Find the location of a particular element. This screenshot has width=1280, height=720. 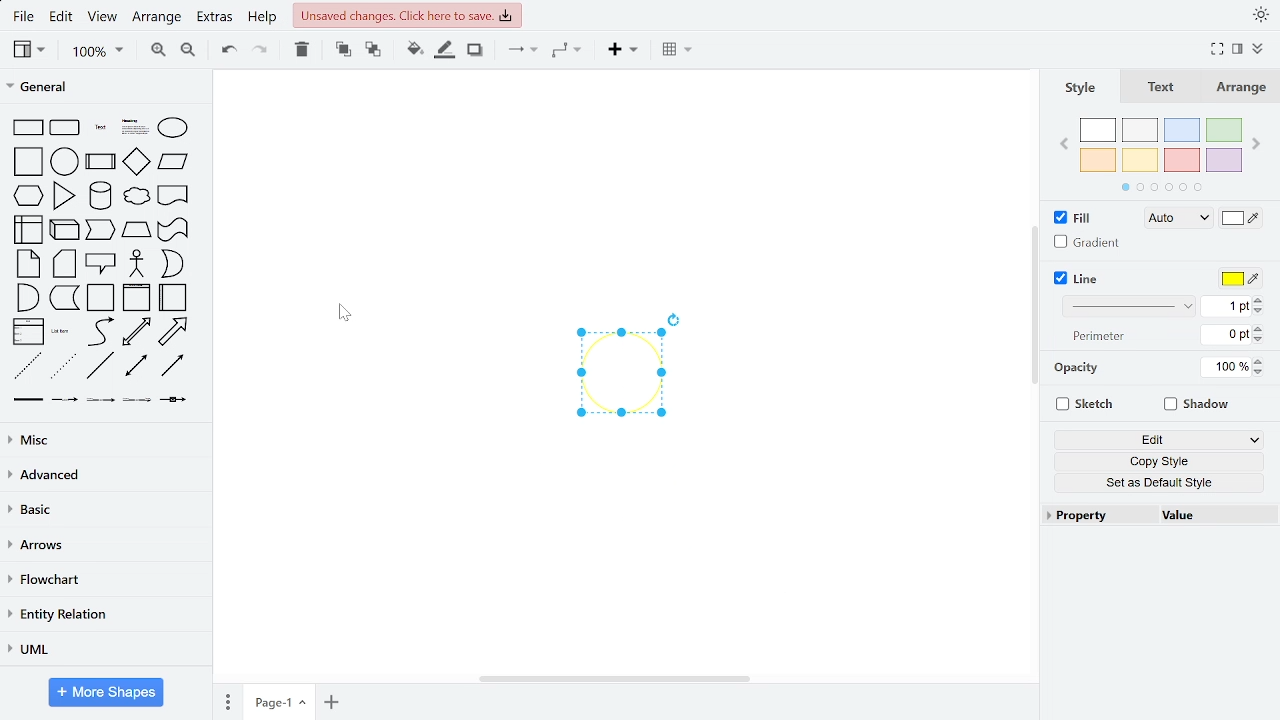

misc is located at coordinates (103, 441).